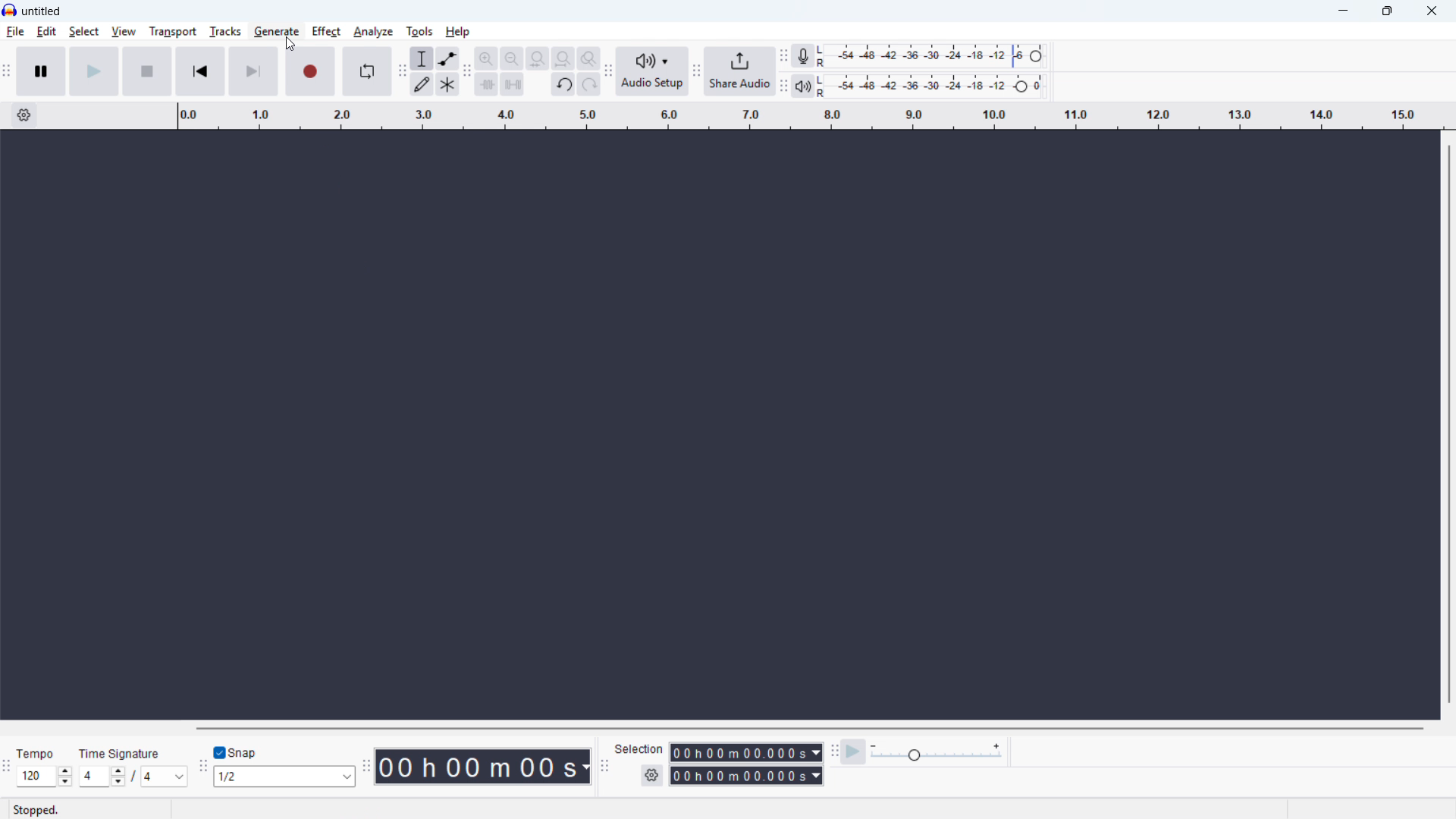 Image resolution: width=1456 pixels, height=819 pixels. I want to click on Audio setup toolbar , so click(608, 71).